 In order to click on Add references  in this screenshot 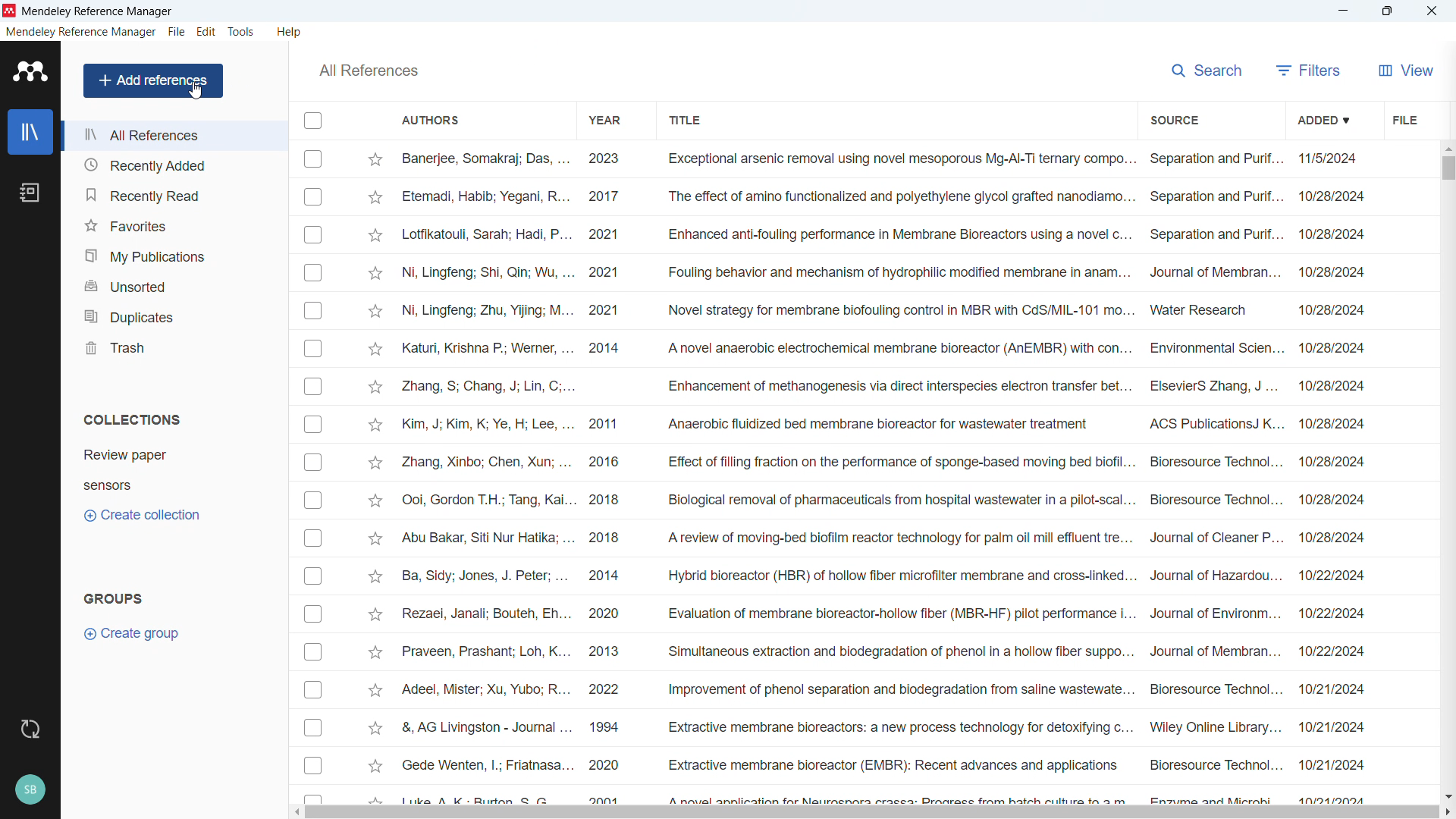, I will do `click(154, 80)`.